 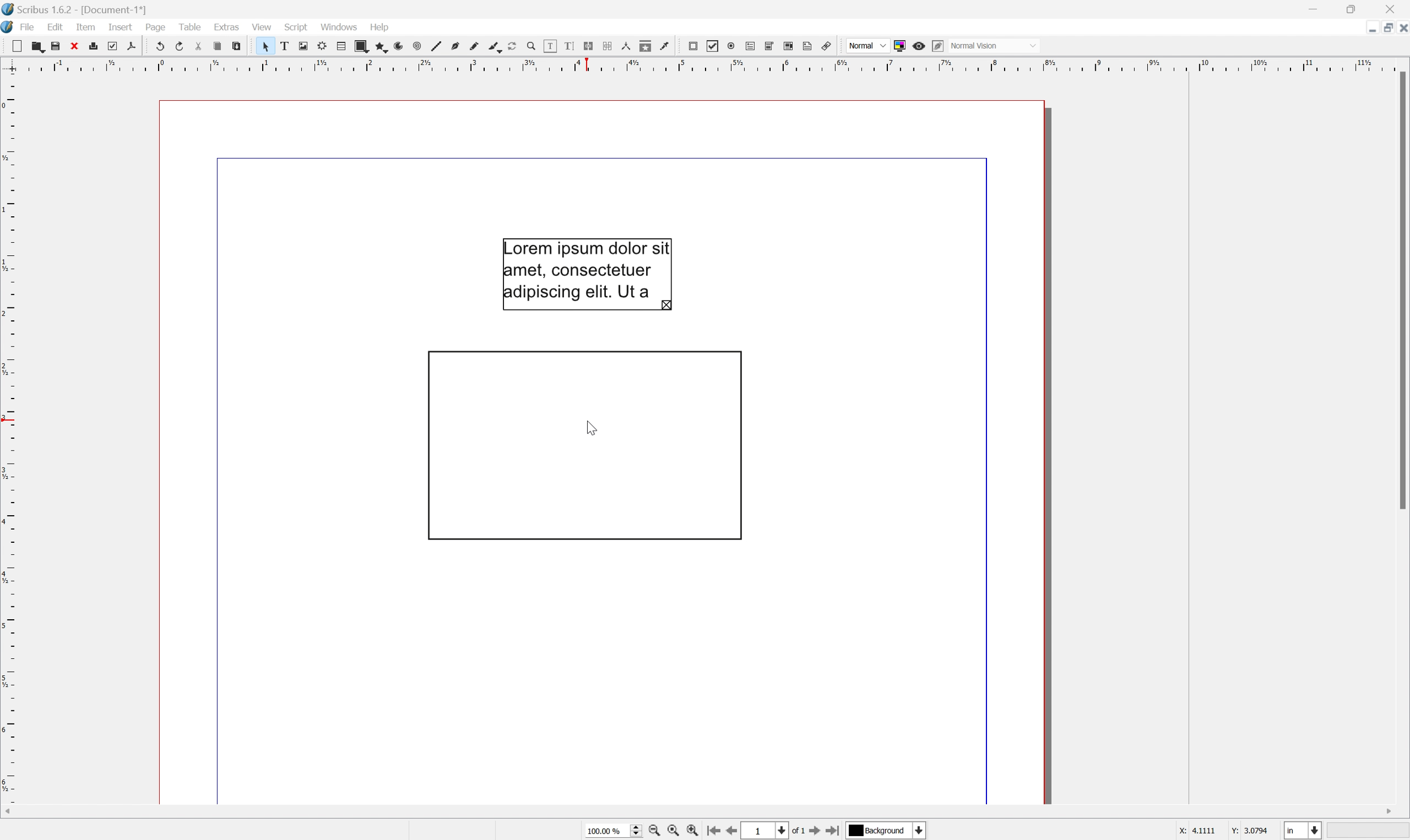 What do you see at coordinates (380, 27) in the screenshot?
I see `Help` at bounding box center [380, 27].